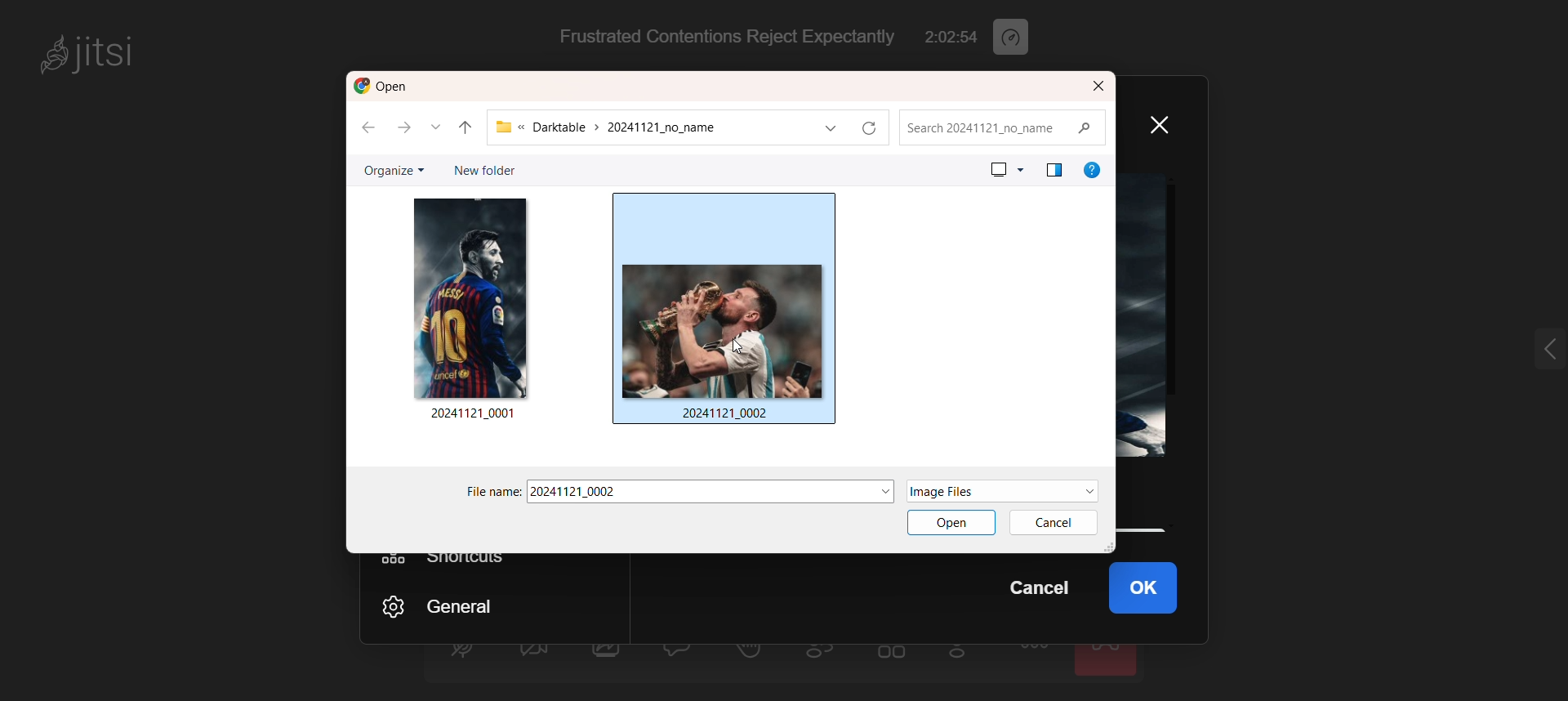  Describe the element at coordinates (458, 604) in the screenshot. I see `general` at that location.